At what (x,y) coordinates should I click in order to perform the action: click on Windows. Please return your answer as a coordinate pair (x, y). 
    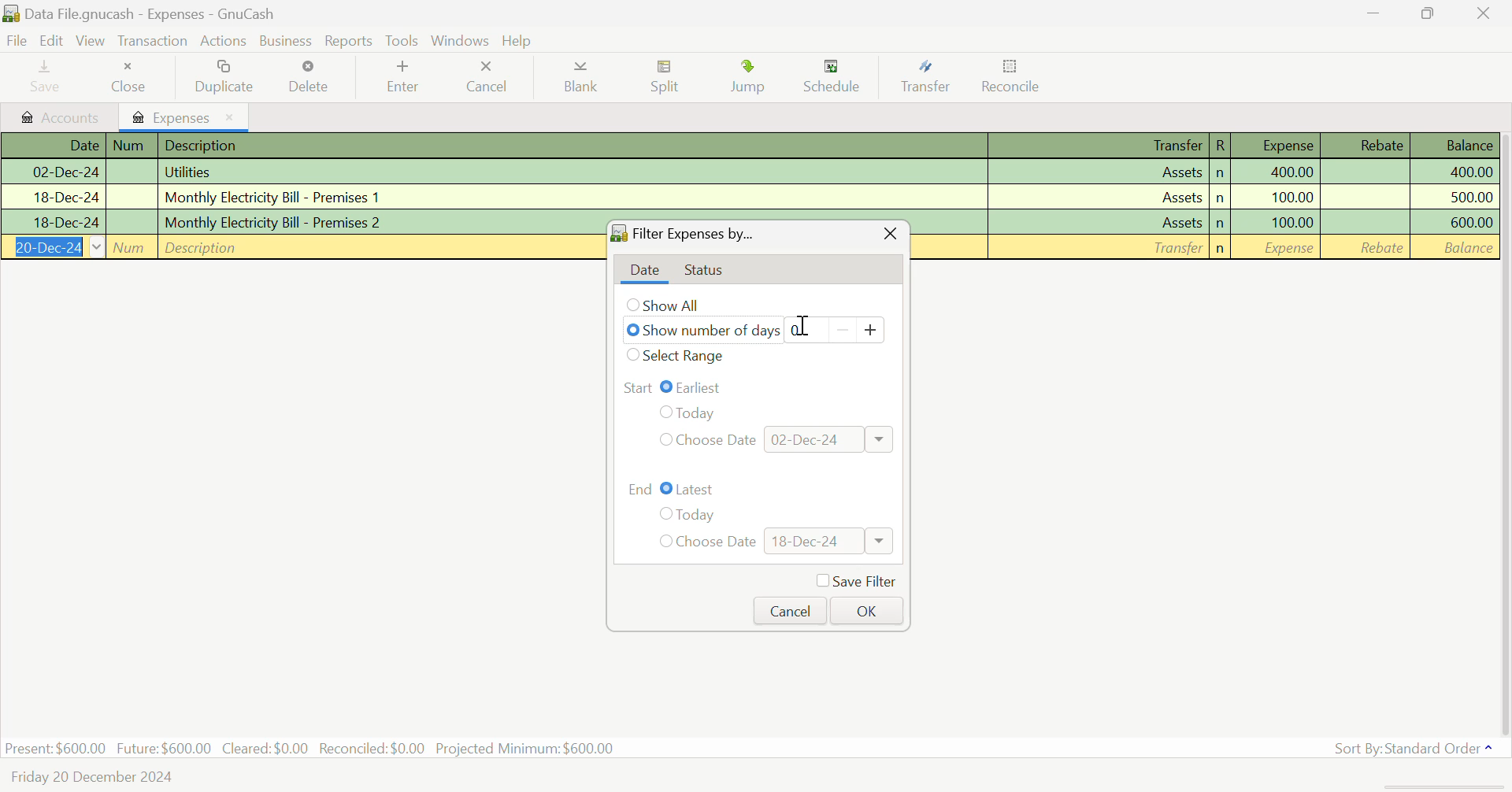
    Looking at the image, I should click on (461, 39).